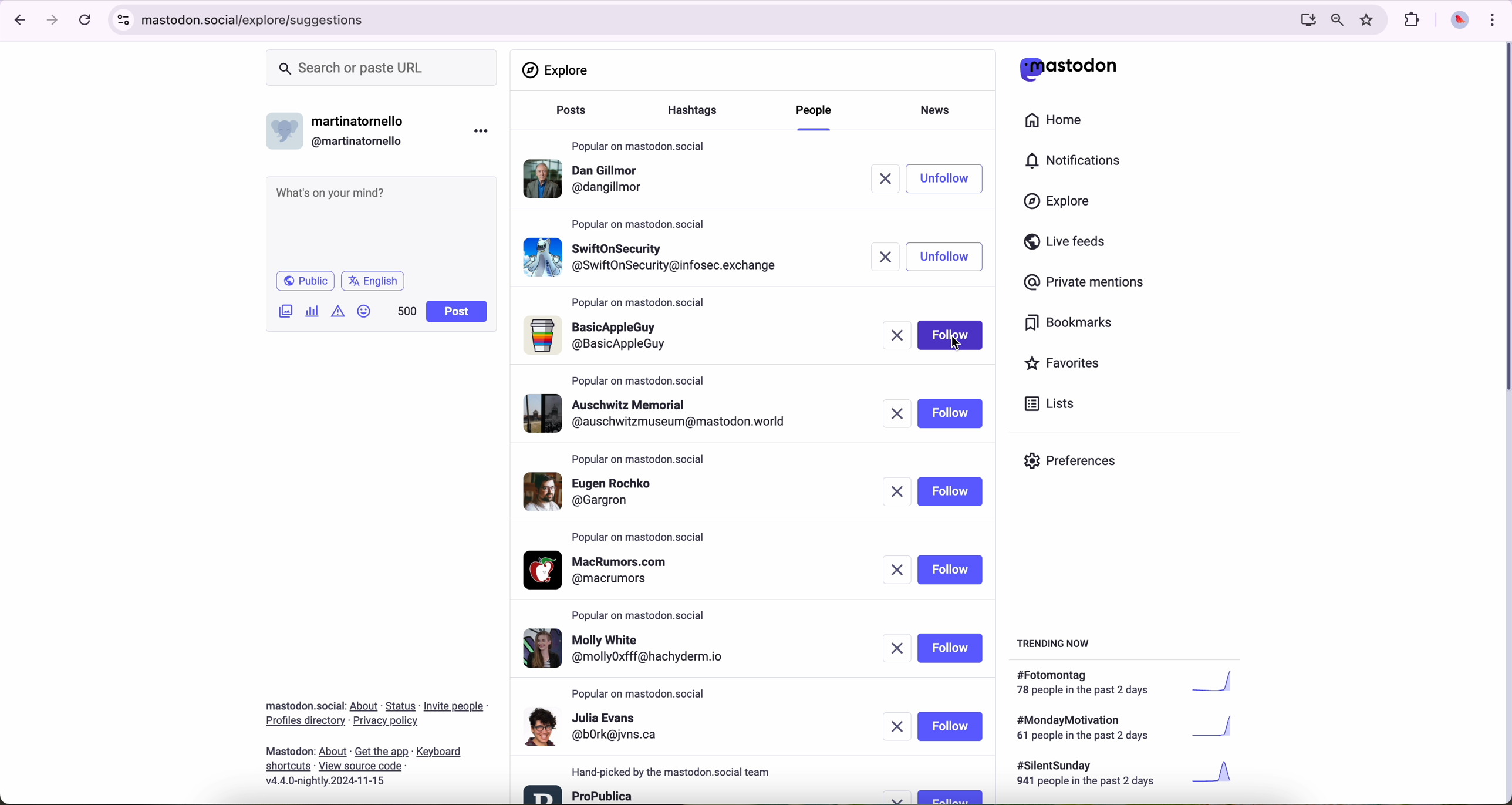 This screenshot has height=805, width=1512. Describe the element at coordinates (1069, 244) in the screenshot. I see `live feeds` at that location.